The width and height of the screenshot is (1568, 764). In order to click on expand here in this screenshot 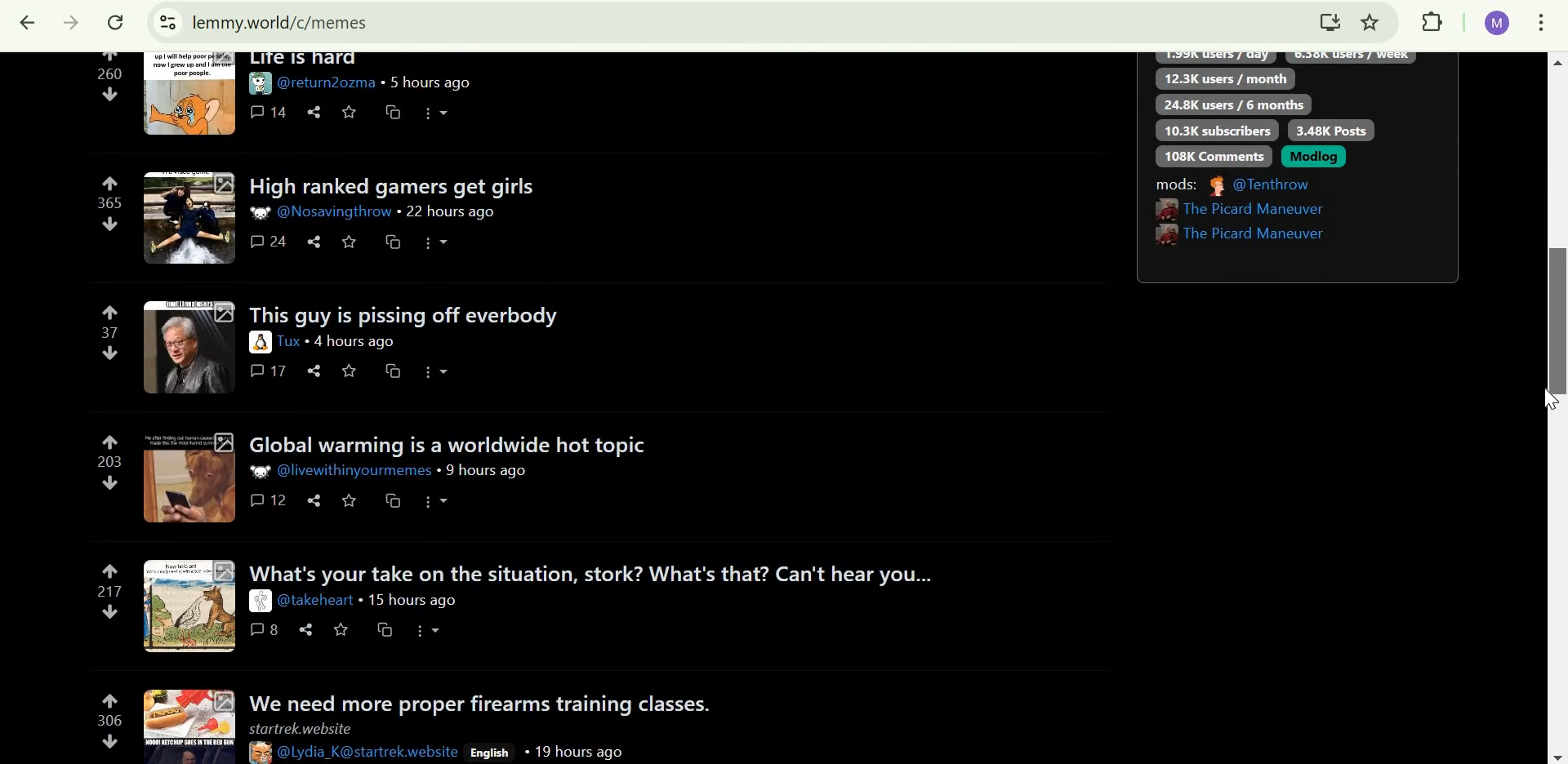, I will do `click(190, 724)`.